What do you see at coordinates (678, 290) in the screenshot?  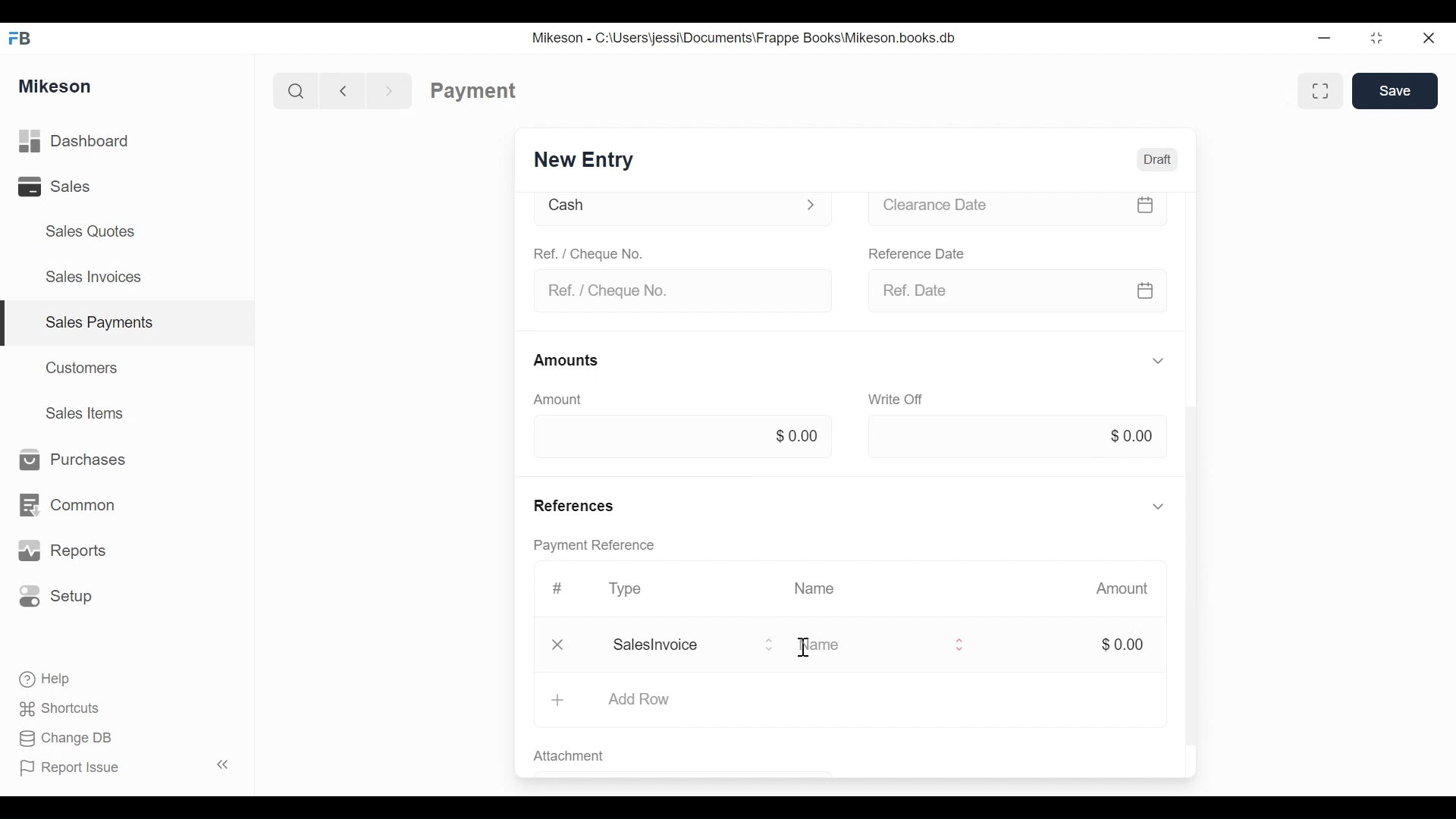 I see `Ref. / Cheque No.` at bounding box center [678, 290].